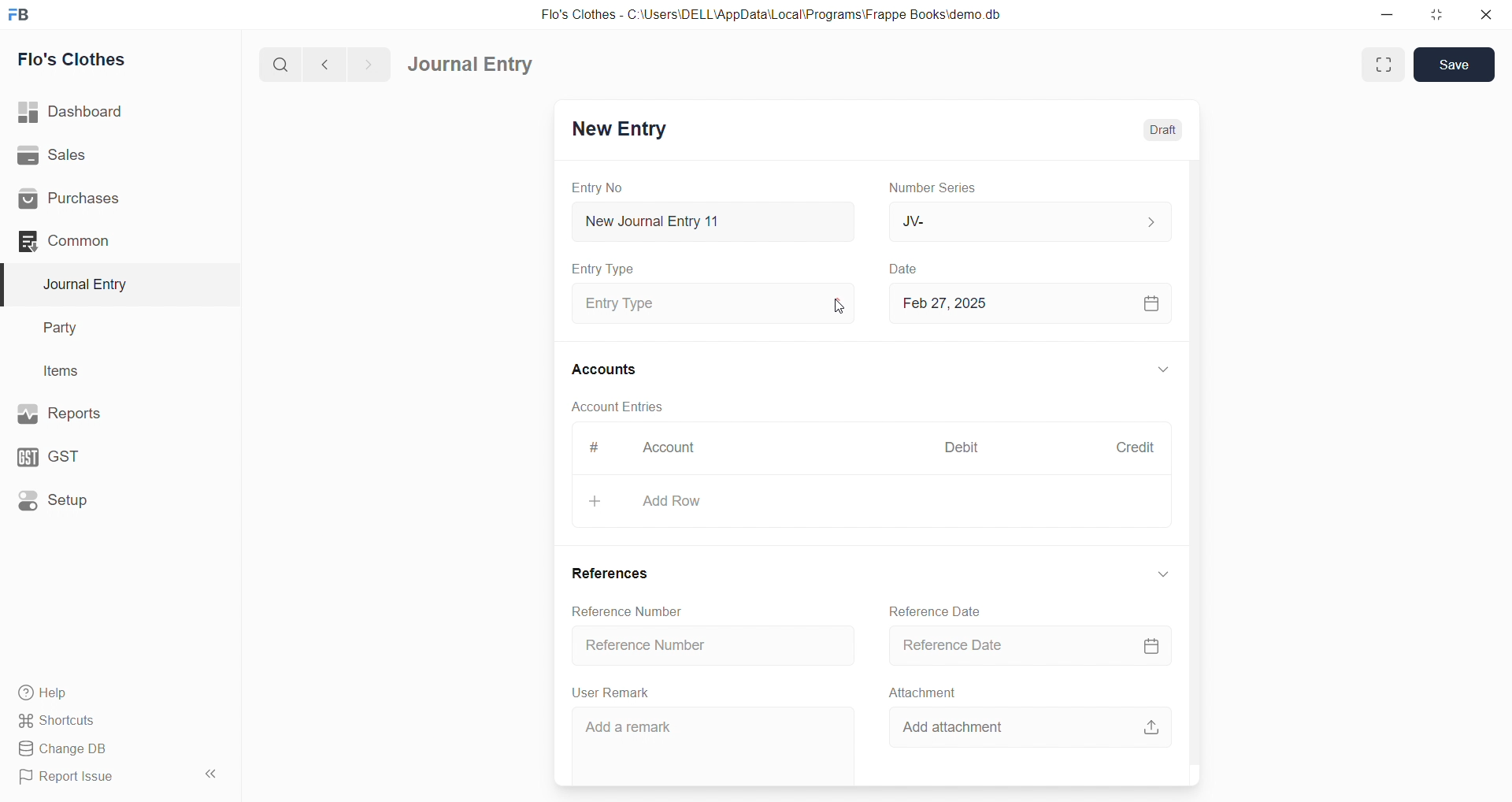 The height and width of the screenshot is (802, 1512). What do you see at coordinates (9, 284) in the screenshot?
I see `selected` at bounding box center [9, 284].